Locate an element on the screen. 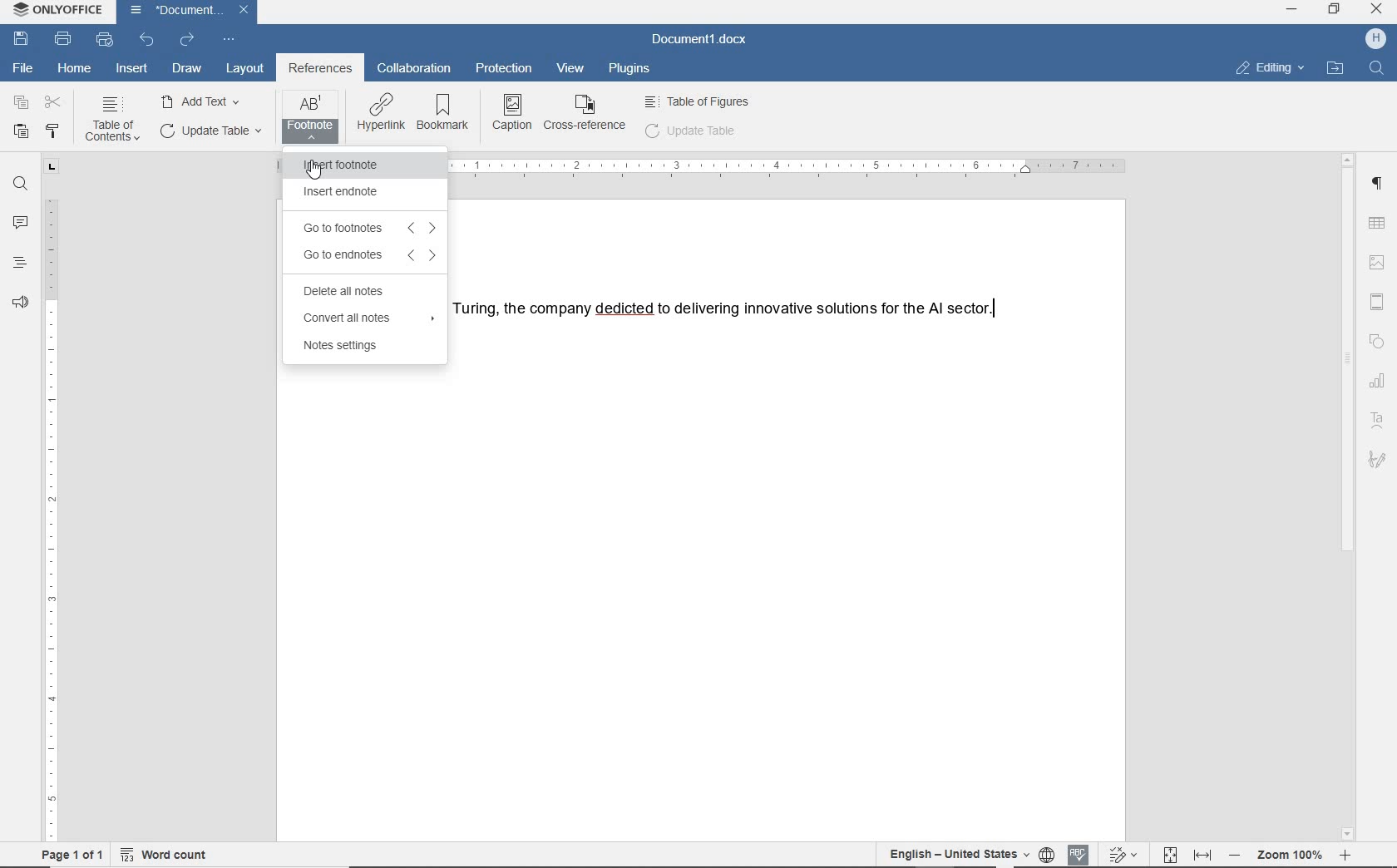  IMAGE is located at coordinates (1380, 262).